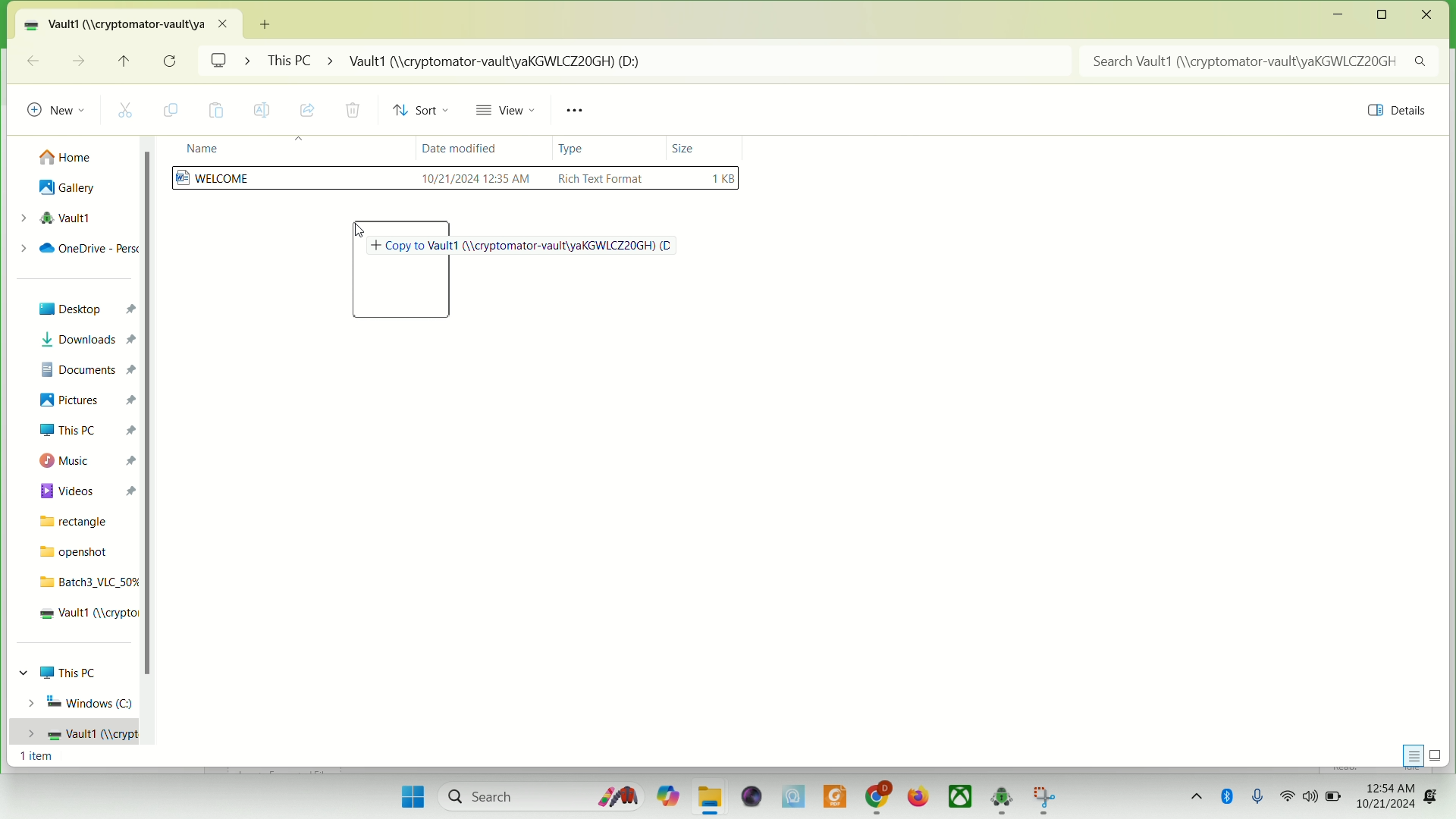  What do you see at coordinates (131, 109) in the screenshot?
I see `cut` at bounding box center [131, 109].